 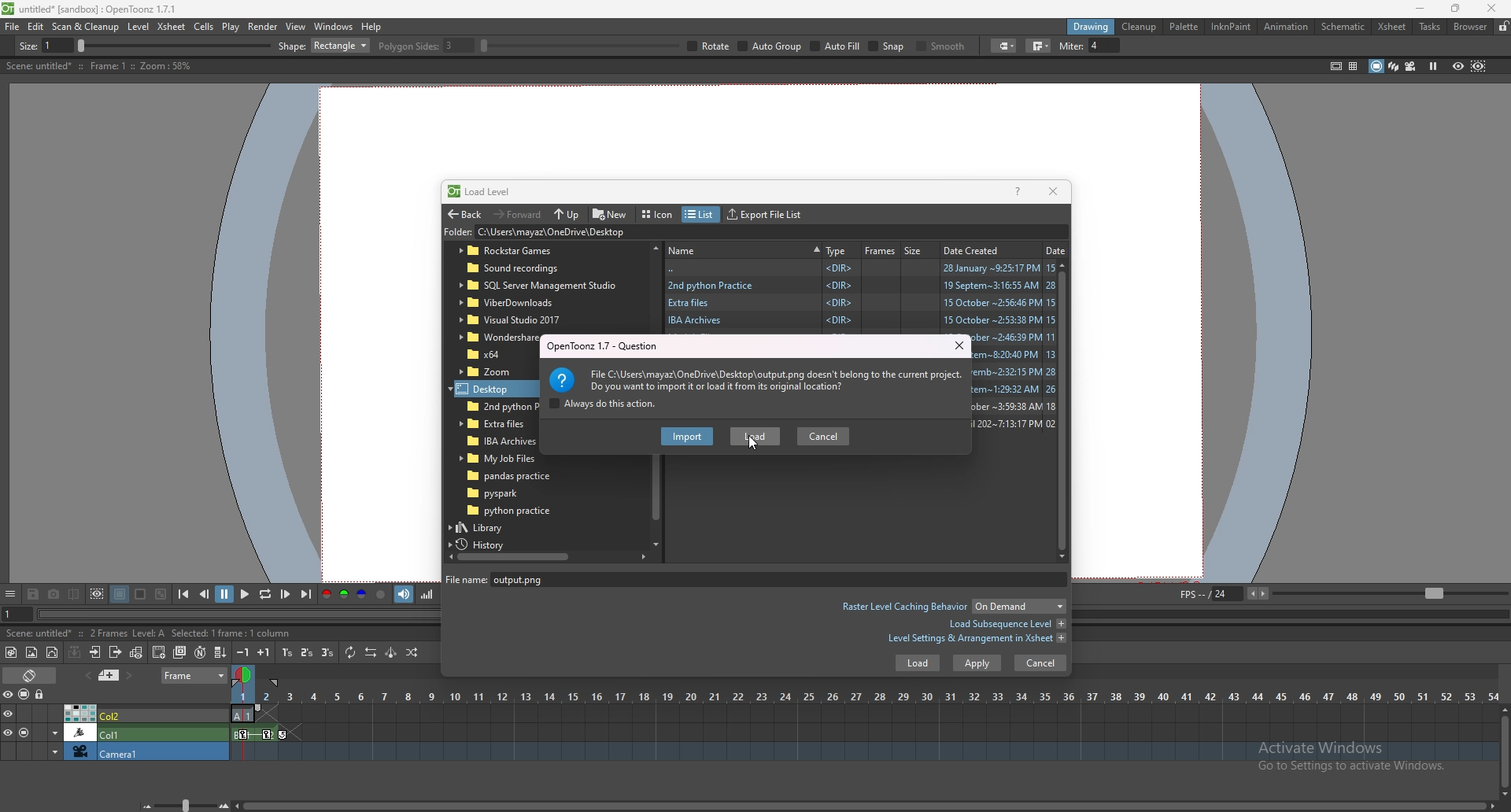 What do you see at coordinates (1336, 65) in the screenshot?
I see `safe area` at bounding box center [1336, 65].